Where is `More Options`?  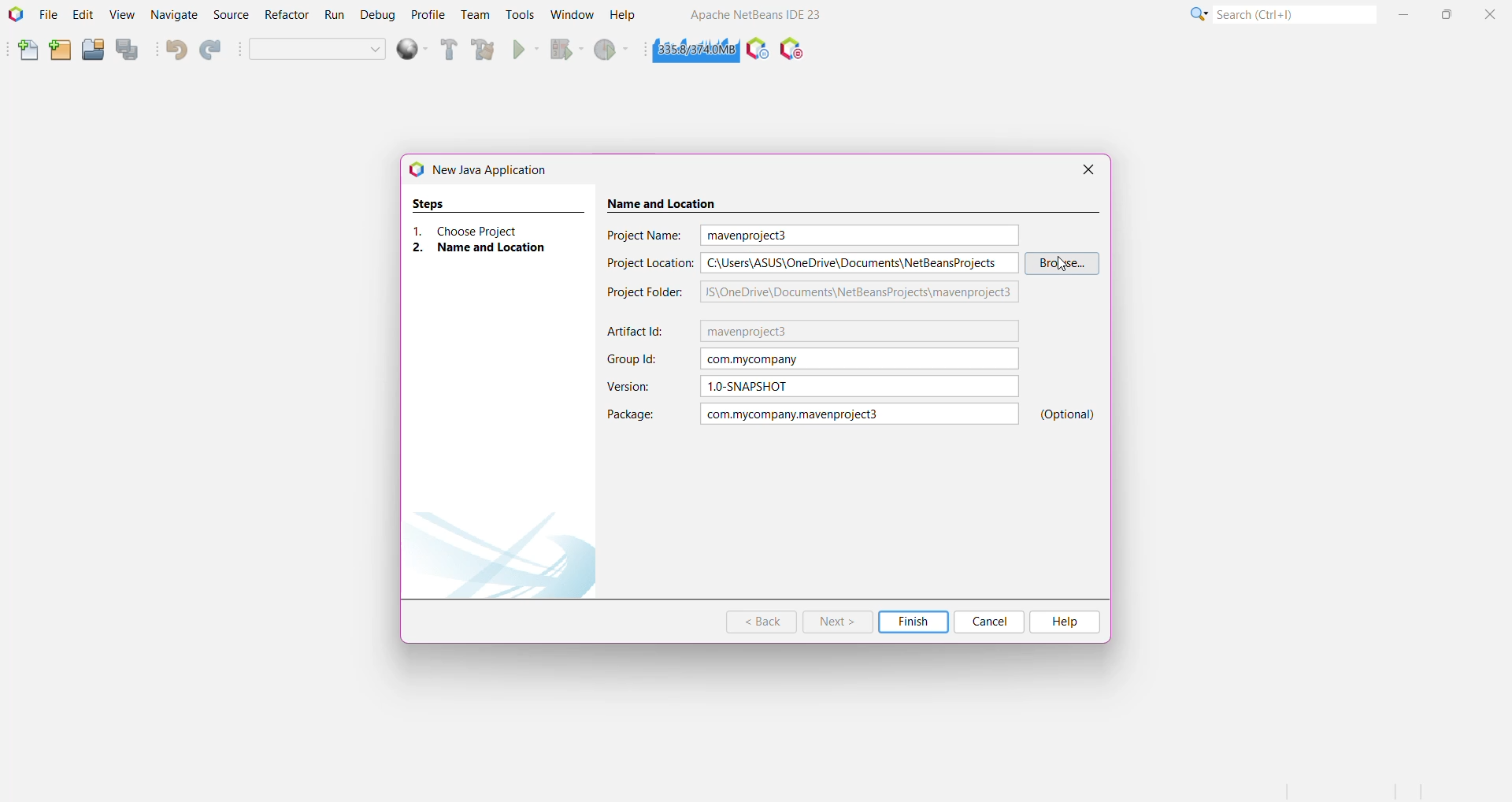
More Options is located at coordinates (1197, 17).